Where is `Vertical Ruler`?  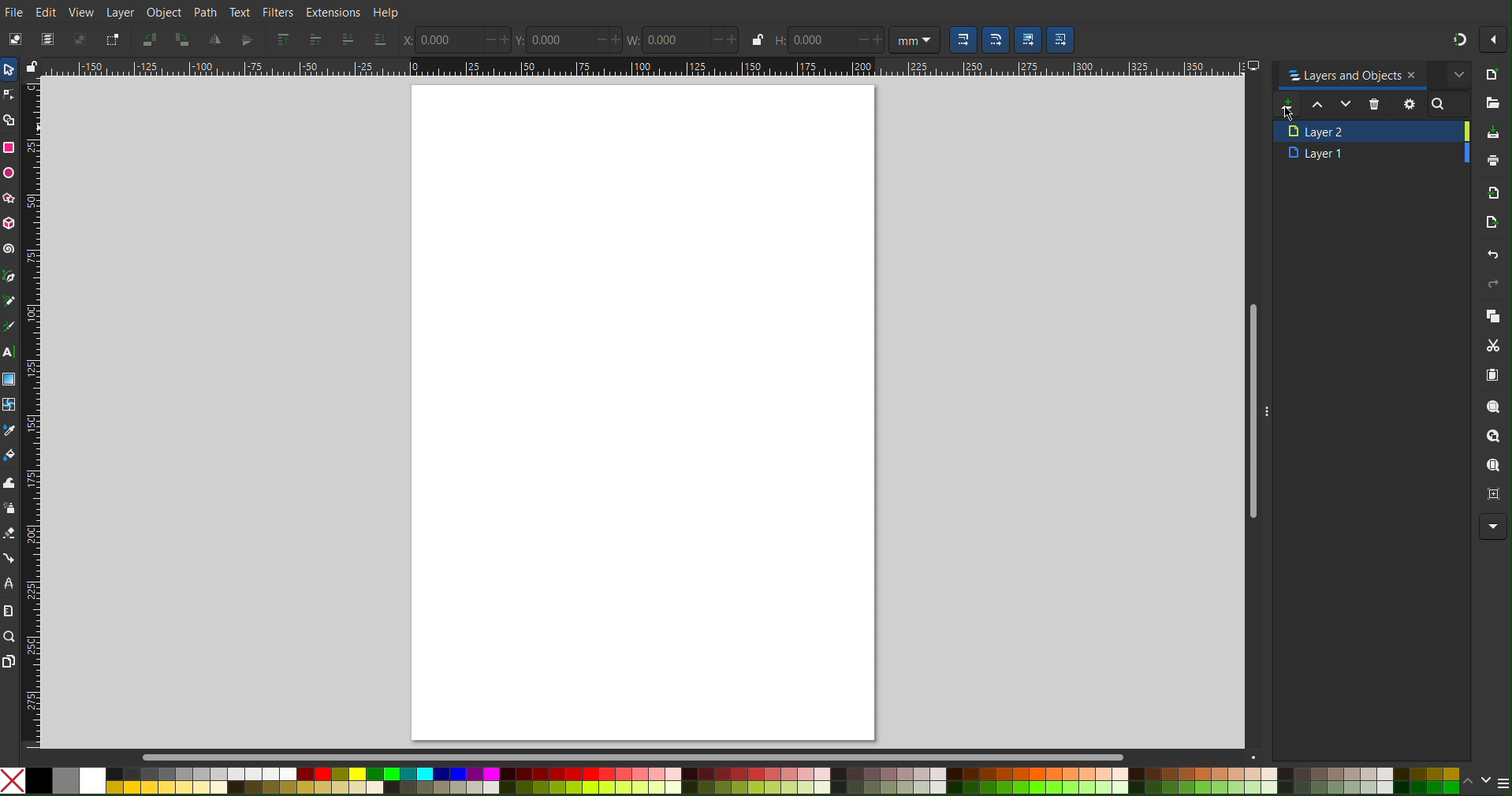
Vertical Ruler is located at coordinates (42, 415).